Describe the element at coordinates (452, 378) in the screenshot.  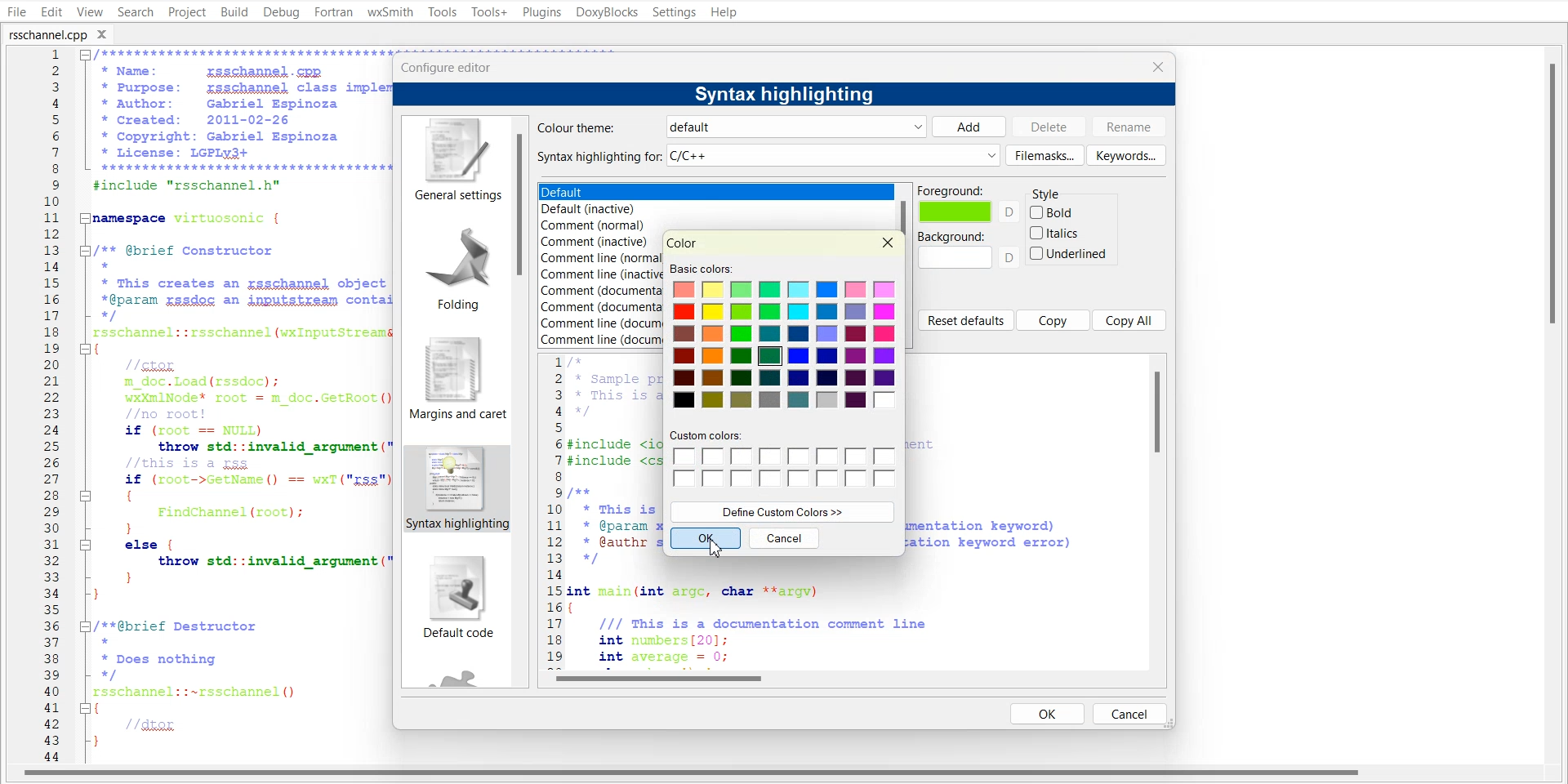
I see `Margin and carpet` at that location.